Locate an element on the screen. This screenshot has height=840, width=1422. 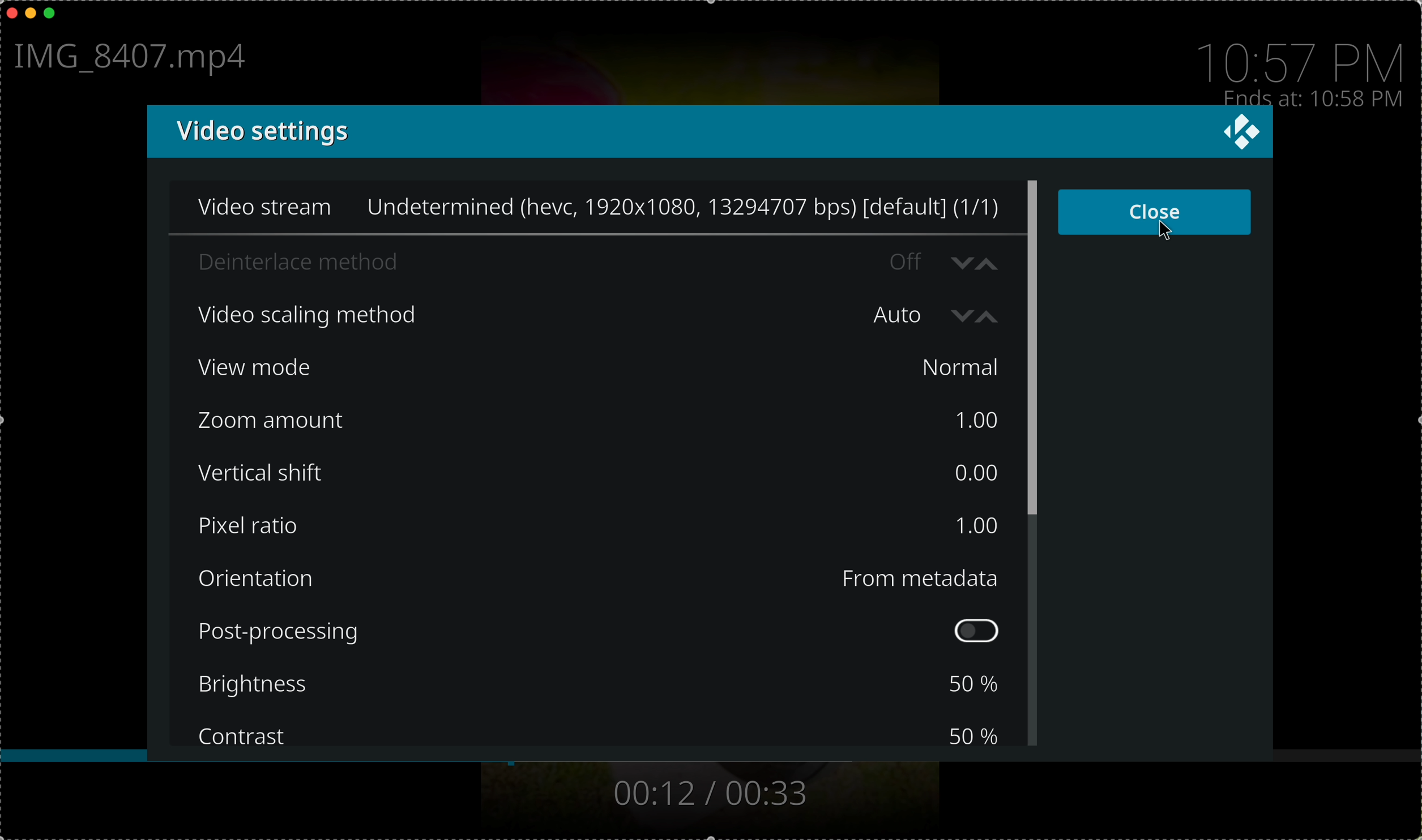
brightness  50% is located at coordinates (603, 687).